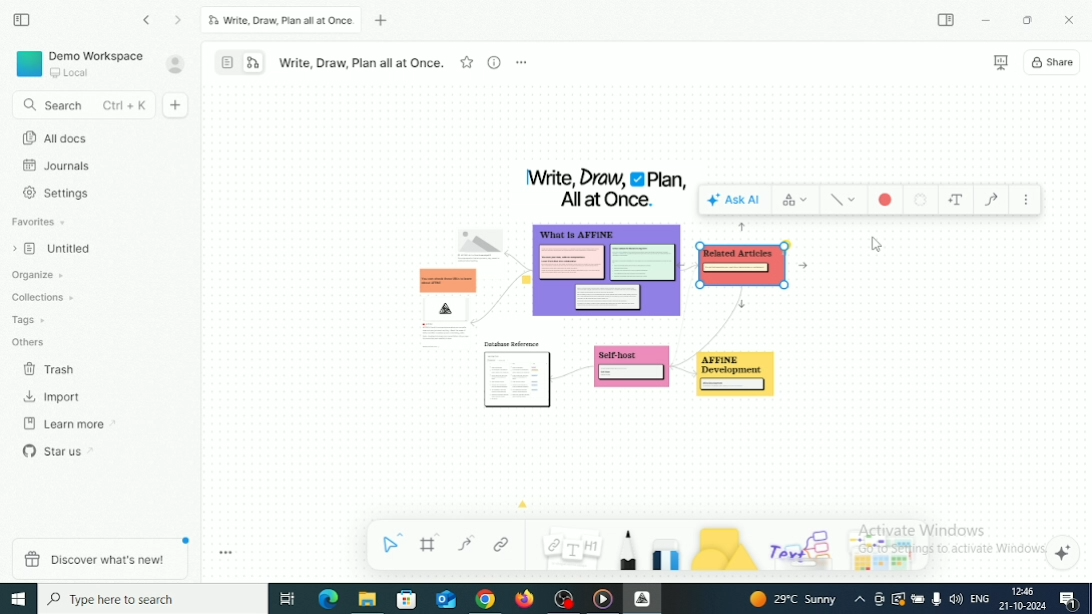  Describe the element at coordinates (409, 600) in the screenshot. I see `Microsoft store` at that location.